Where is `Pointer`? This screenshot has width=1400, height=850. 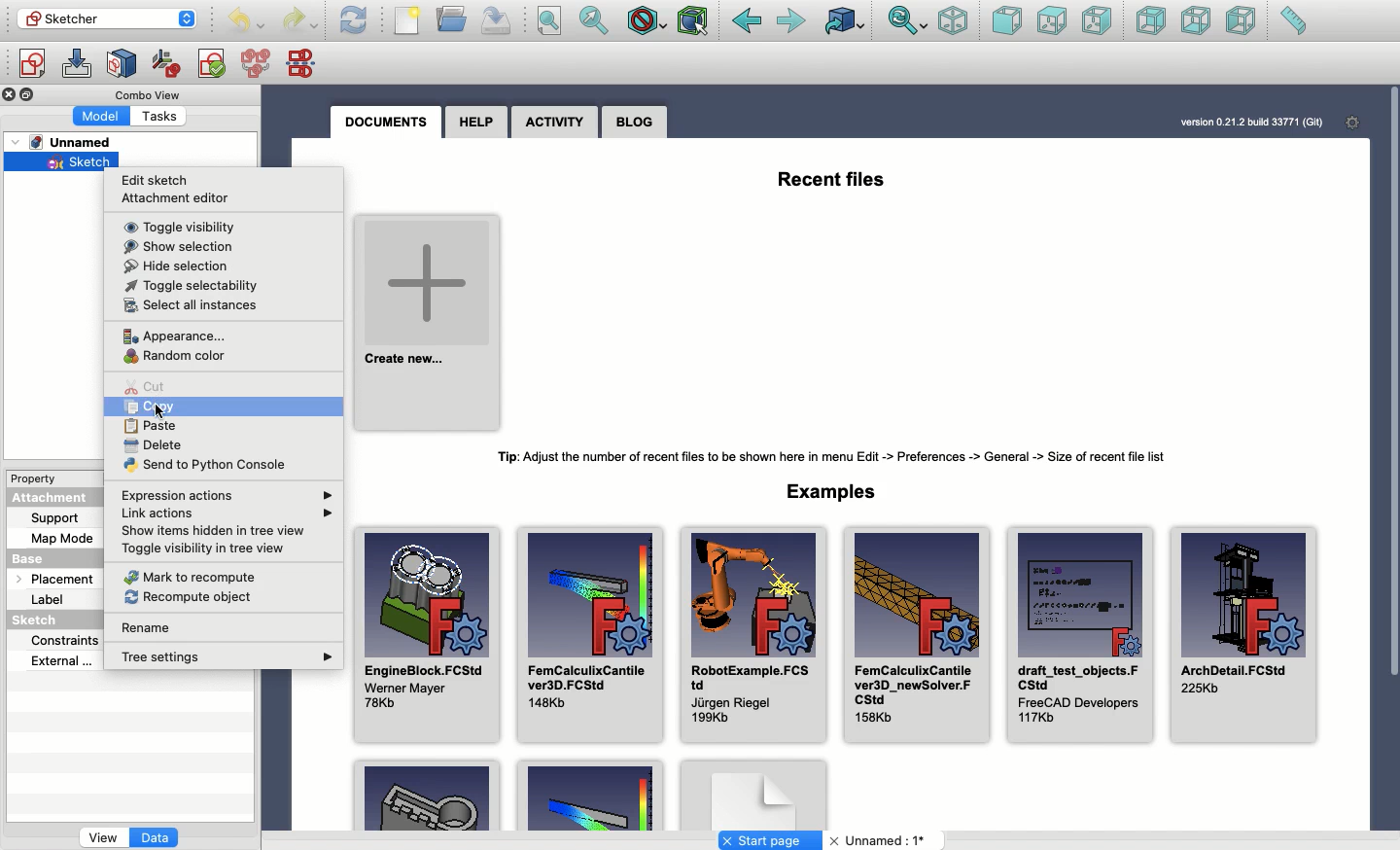 Pointer is located at coordinates (163, 410).